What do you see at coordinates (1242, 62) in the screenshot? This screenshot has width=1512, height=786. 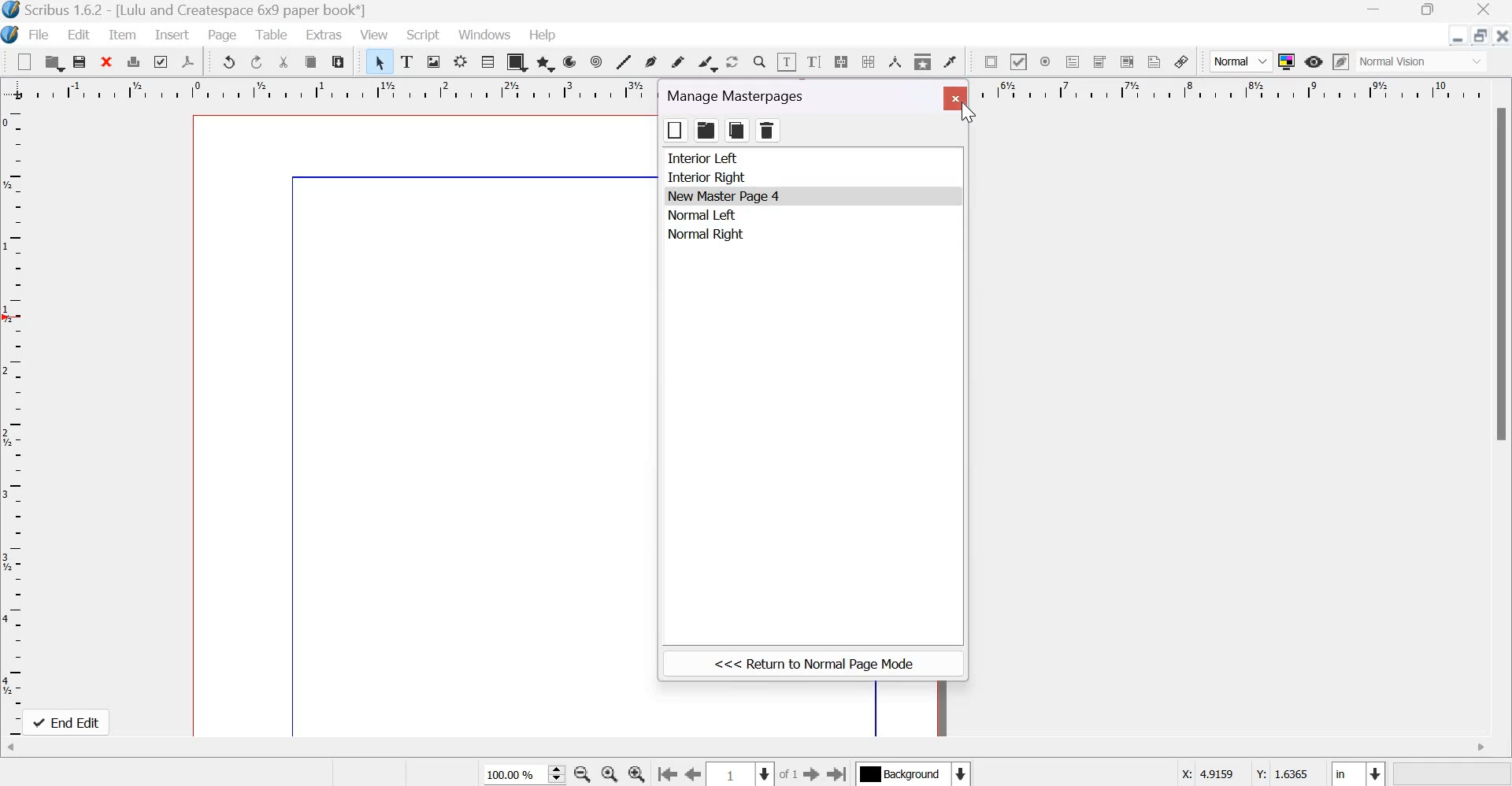 I see `Normal` at bounding box center [1242, 62].